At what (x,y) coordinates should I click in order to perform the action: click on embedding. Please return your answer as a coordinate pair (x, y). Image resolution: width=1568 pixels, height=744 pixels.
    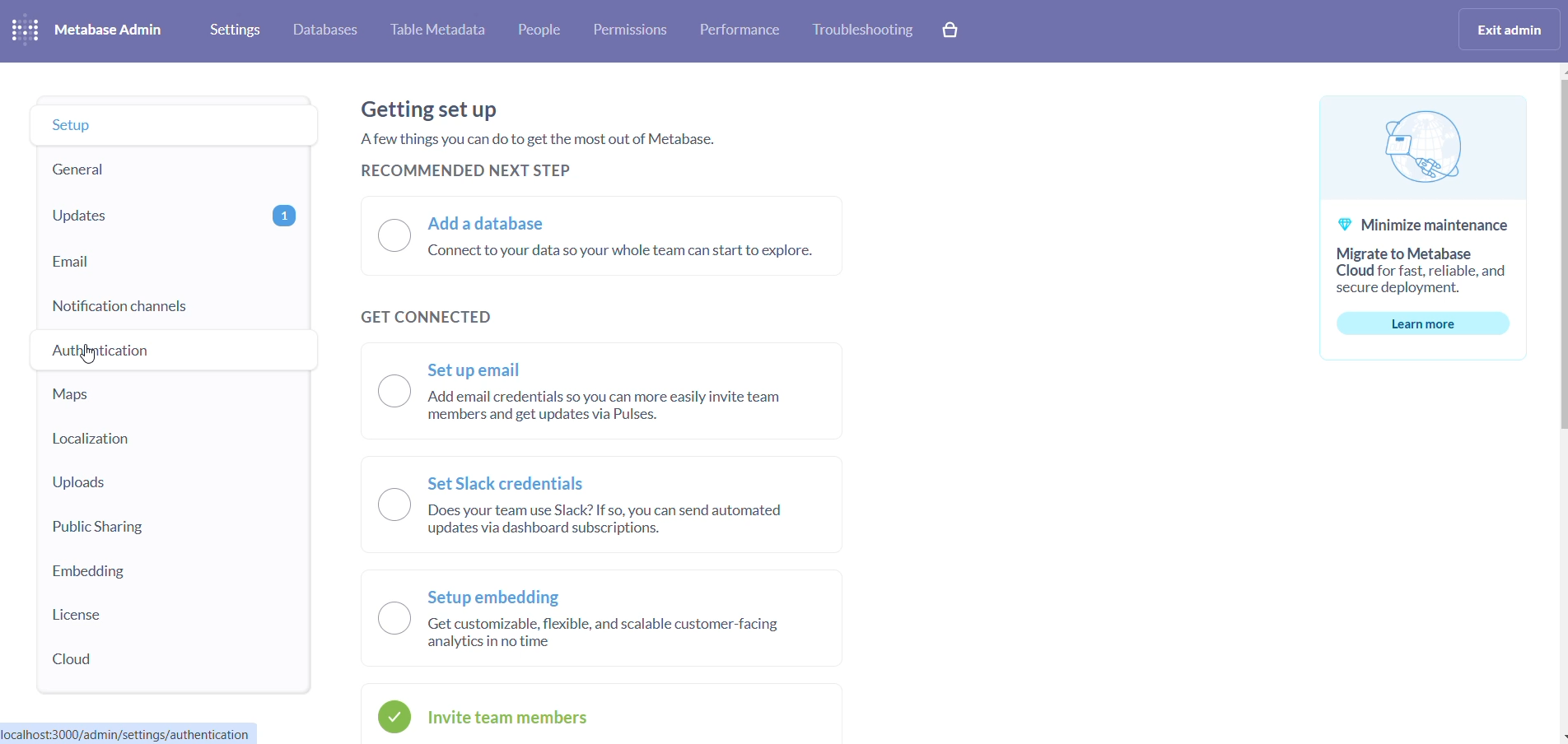
    Looking at the image, I should click on (104, 570).